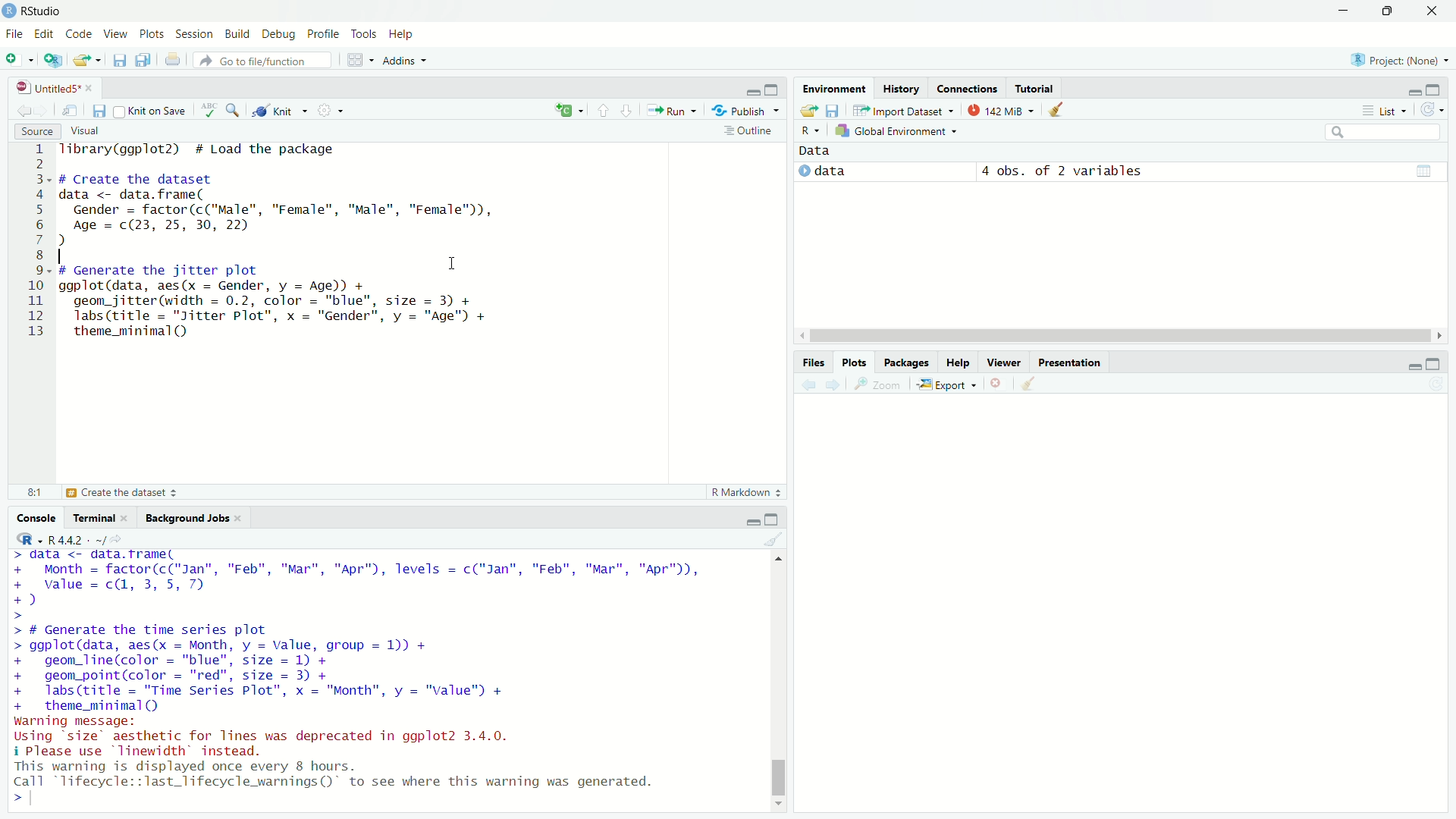 The image size is (1456, 819). Describe the element at coordinates (1387, 10) in the screenshot. I see `maximize` at that location.